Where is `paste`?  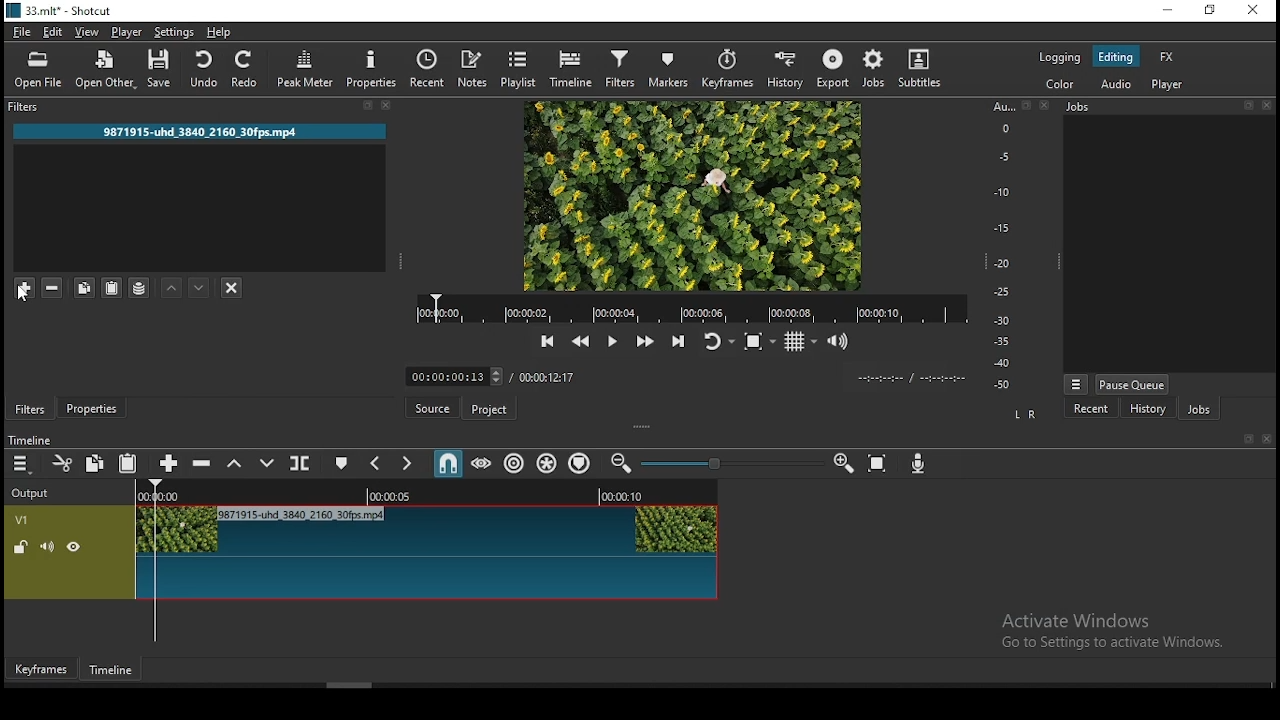
paste is located at coordinates (112, 288).